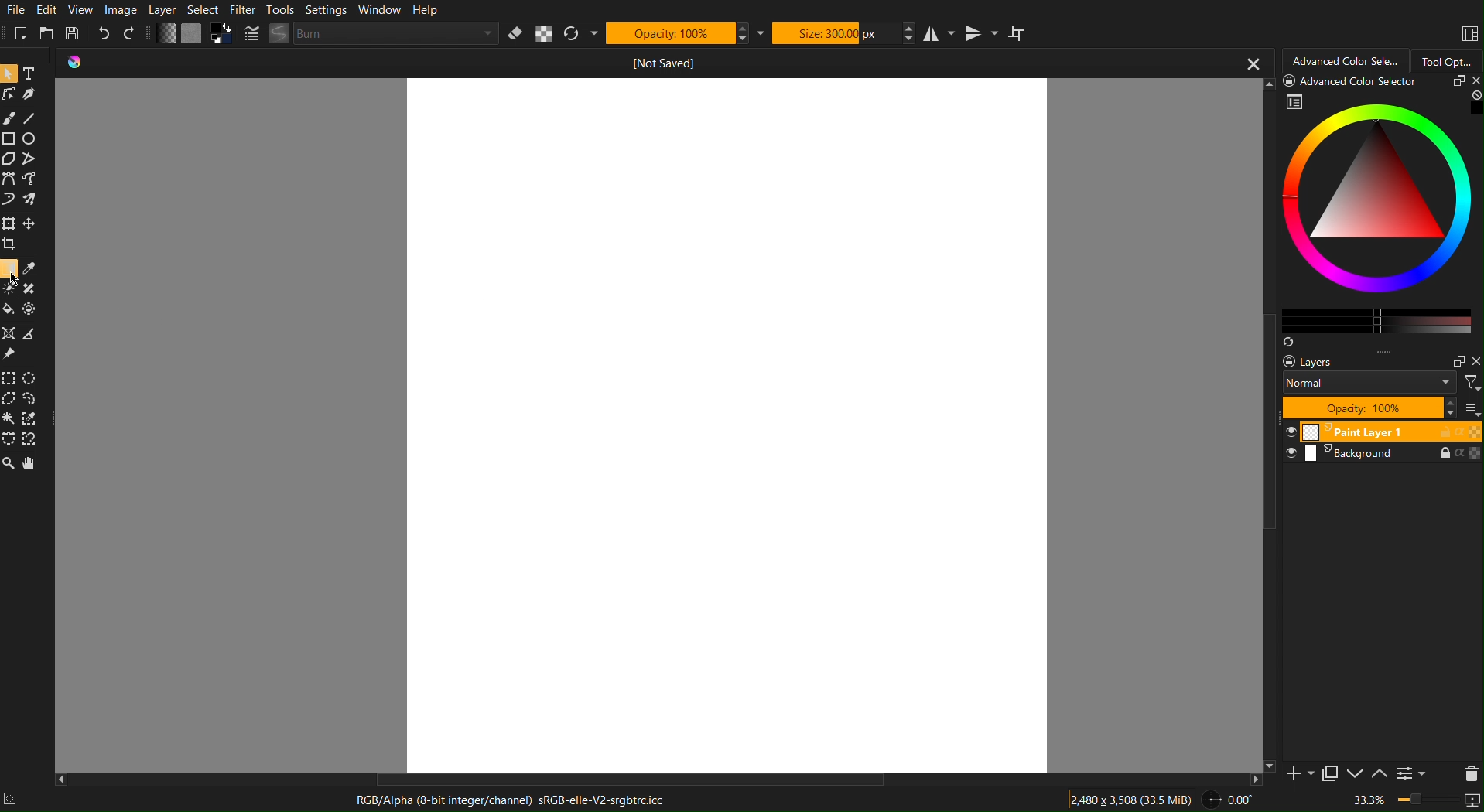  Describe the element at coordinates (581, 33) in the screenshot. I see `Refresh` at that location.